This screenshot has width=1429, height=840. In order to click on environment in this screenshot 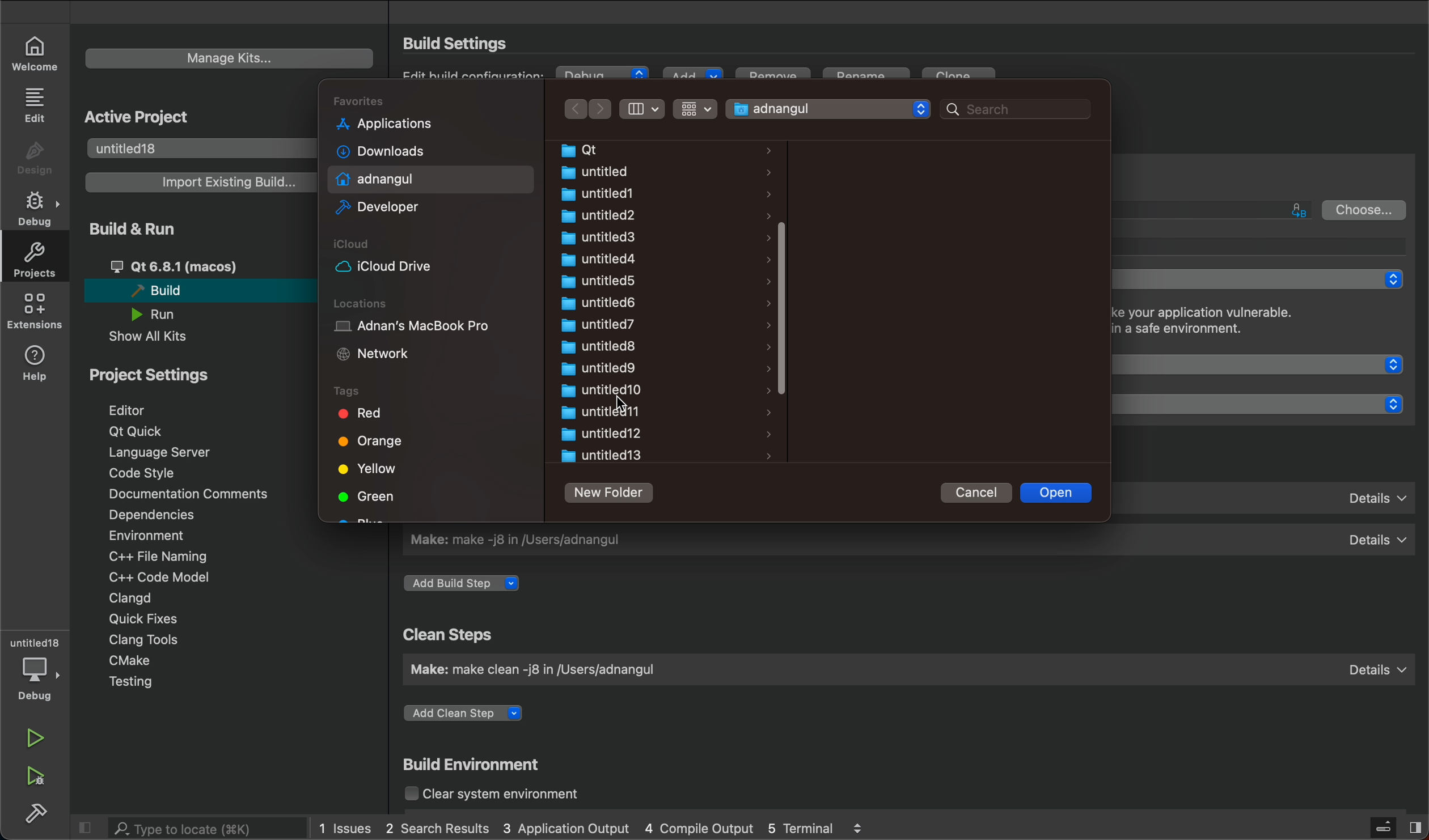, I will do `click(150, 537)`.